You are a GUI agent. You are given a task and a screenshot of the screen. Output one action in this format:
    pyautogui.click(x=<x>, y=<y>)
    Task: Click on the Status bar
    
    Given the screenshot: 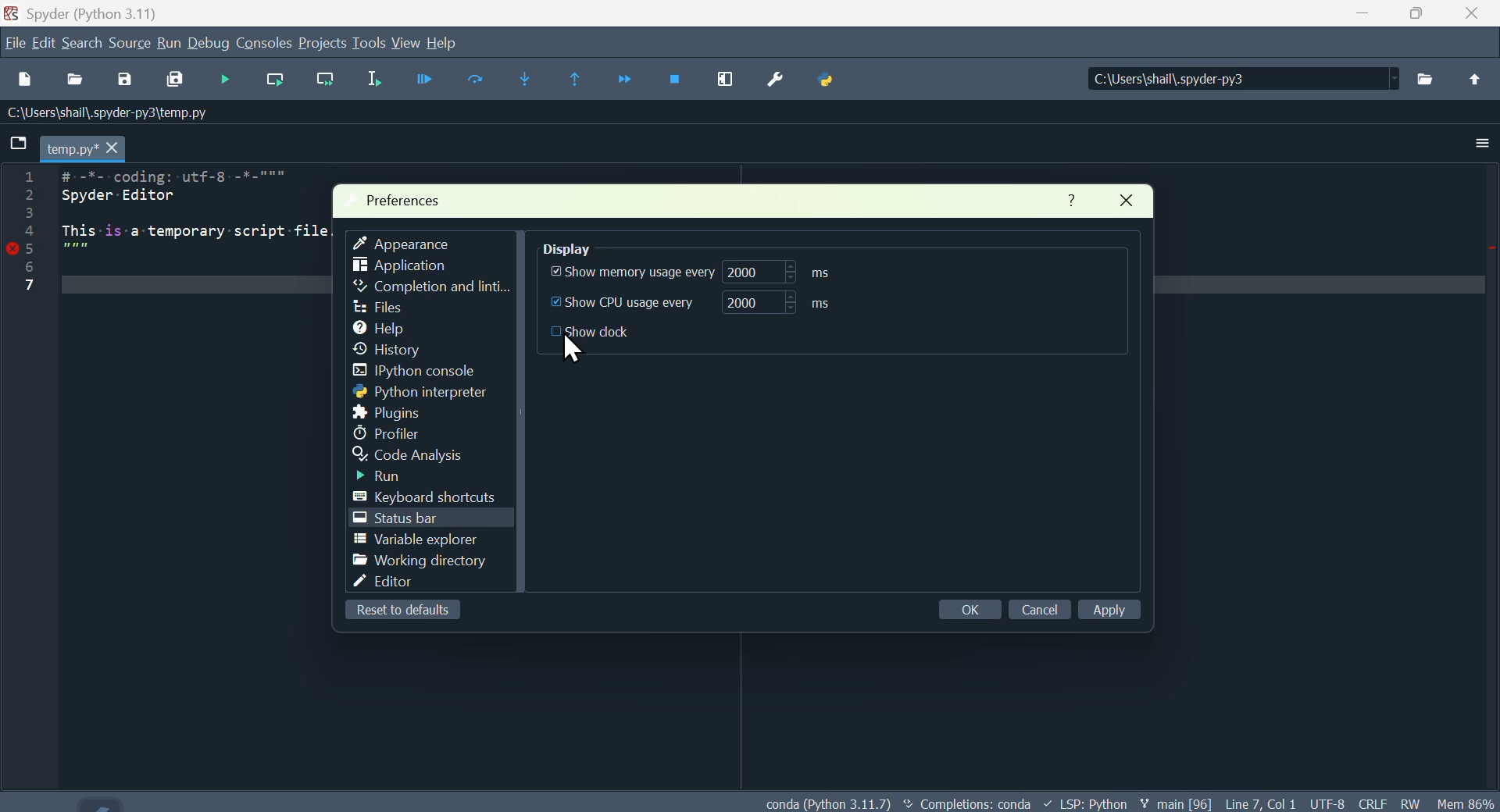 What is the action you would take?
    pyautogui.click(x=400, y=520)
    